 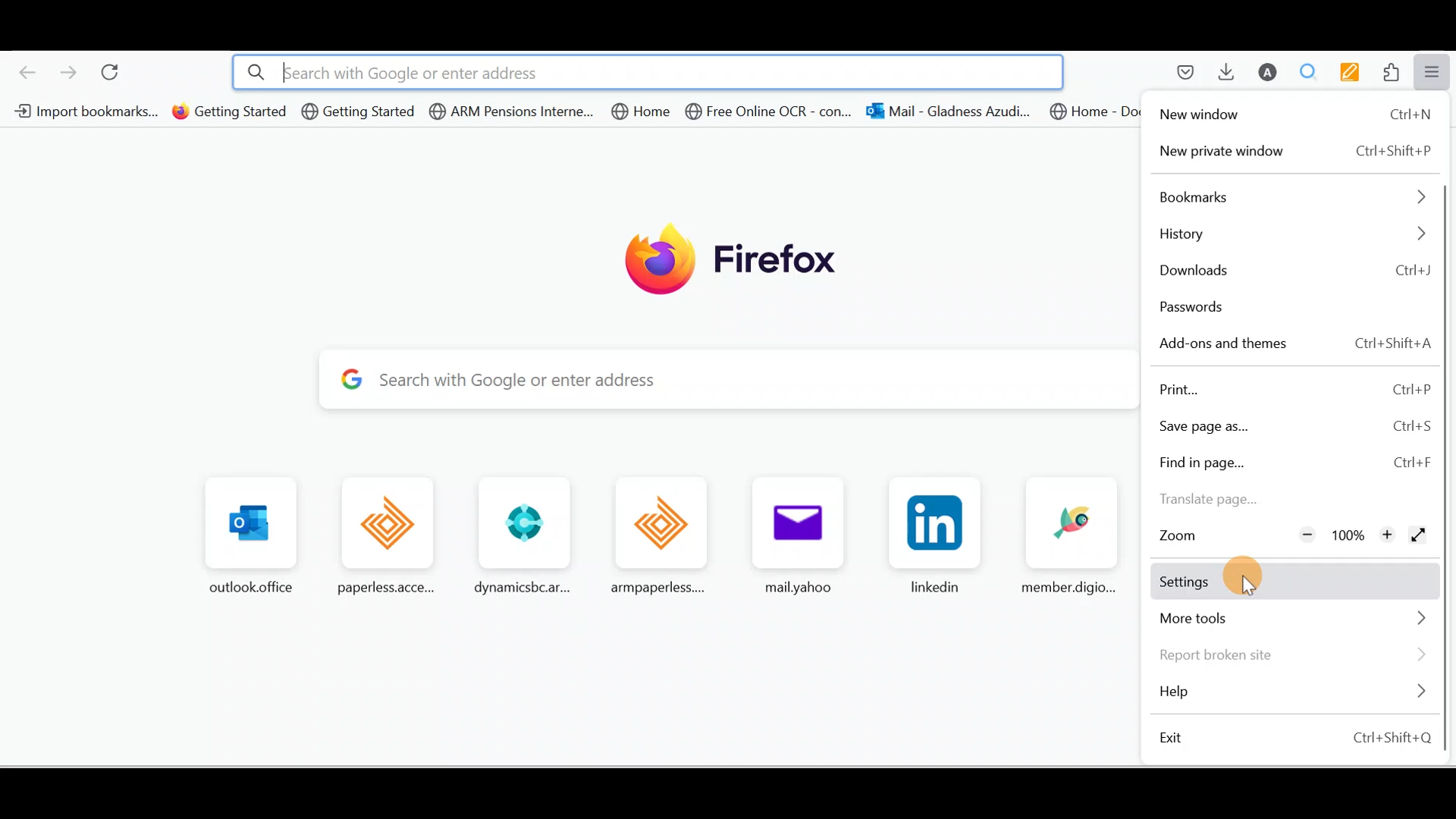 I want to click on Zoom, so click(x=1181, y=535).